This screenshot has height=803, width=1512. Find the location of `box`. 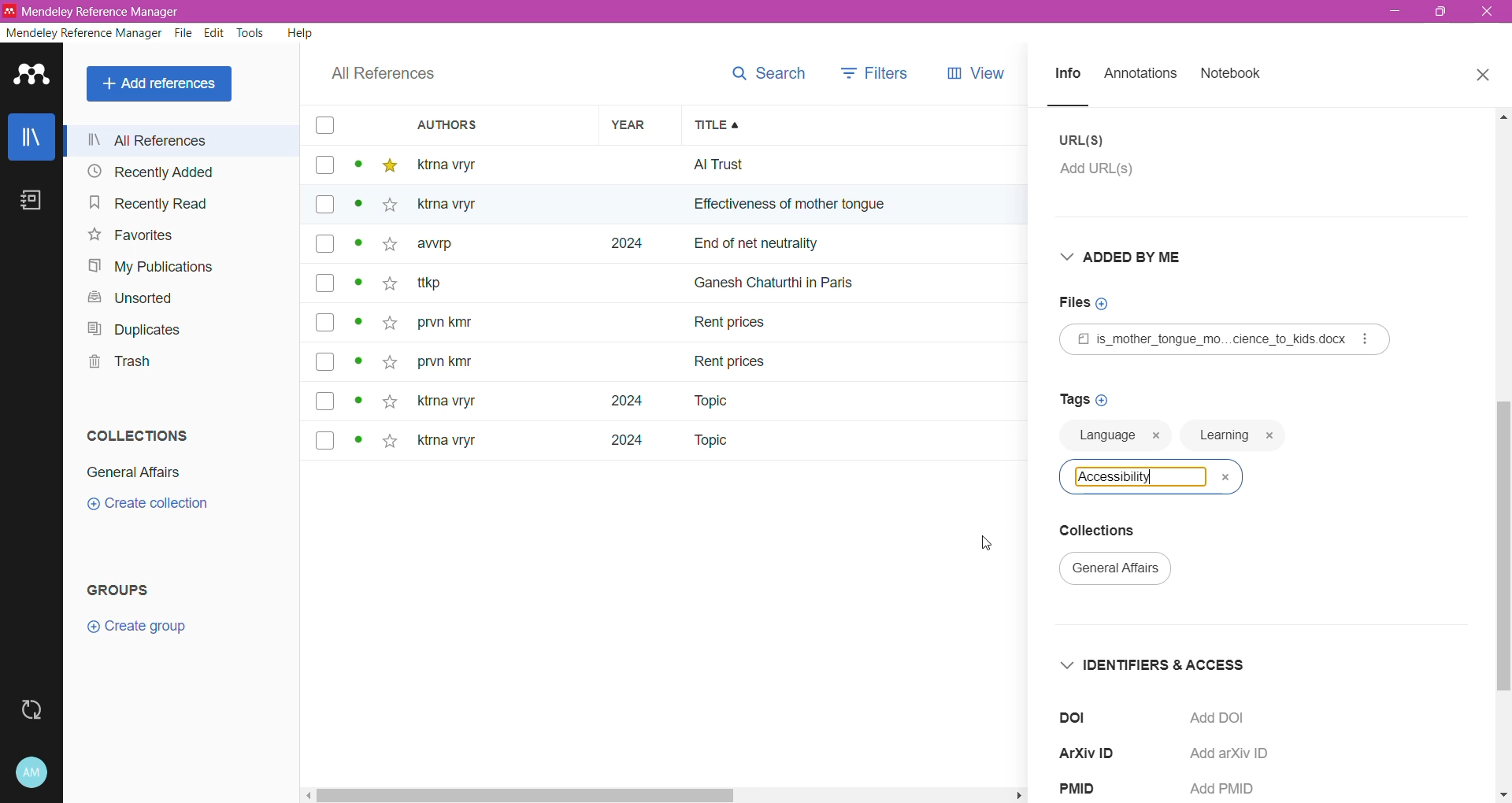

box is located at coordinates (325, 322).